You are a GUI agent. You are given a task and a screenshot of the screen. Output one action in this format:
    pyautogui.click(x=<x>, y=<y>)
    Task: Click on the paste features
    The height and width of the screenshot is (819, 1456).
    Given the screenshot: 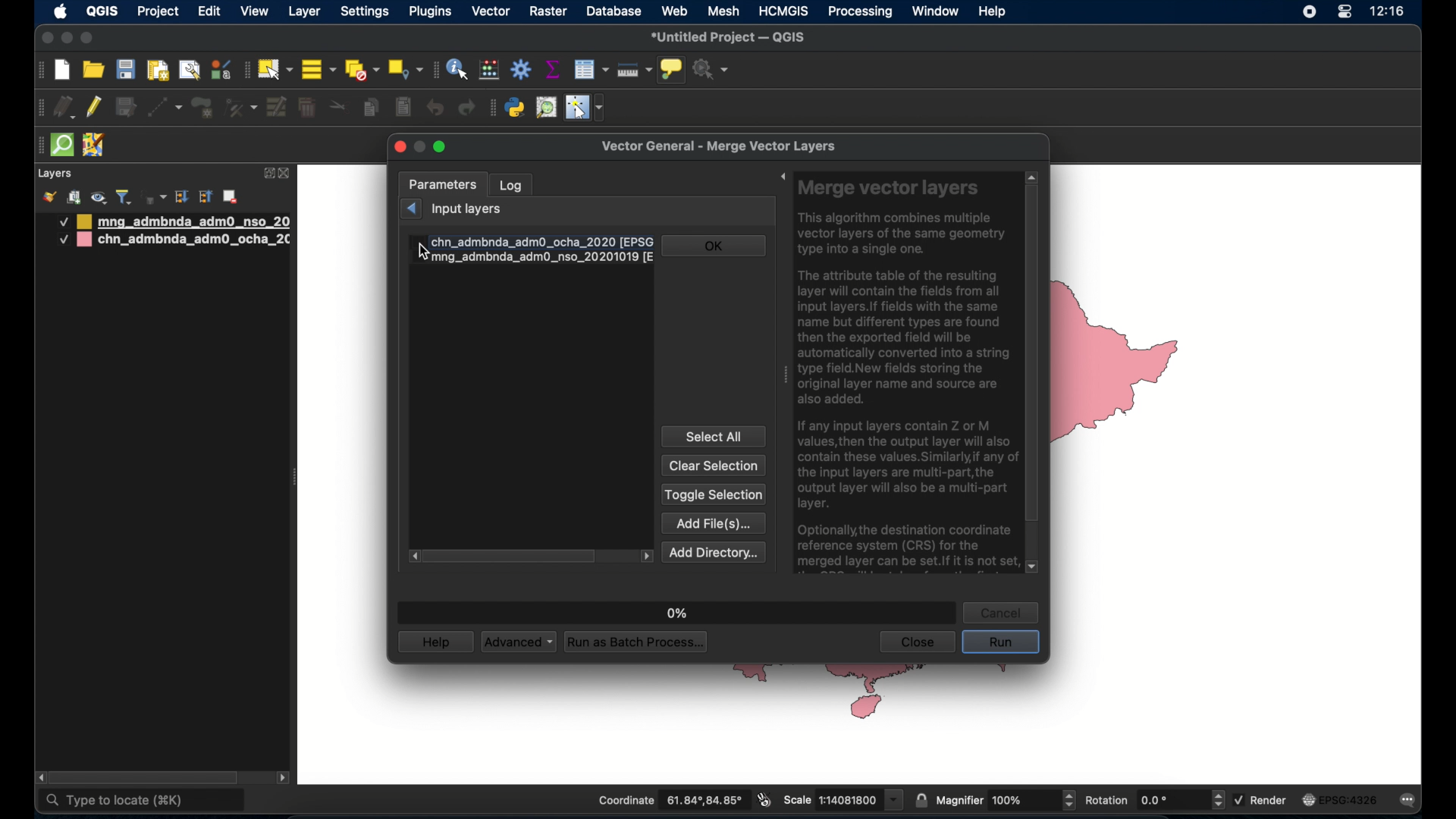 What is the action you would take?
    pyautogui.click(x=402, y=106)
    